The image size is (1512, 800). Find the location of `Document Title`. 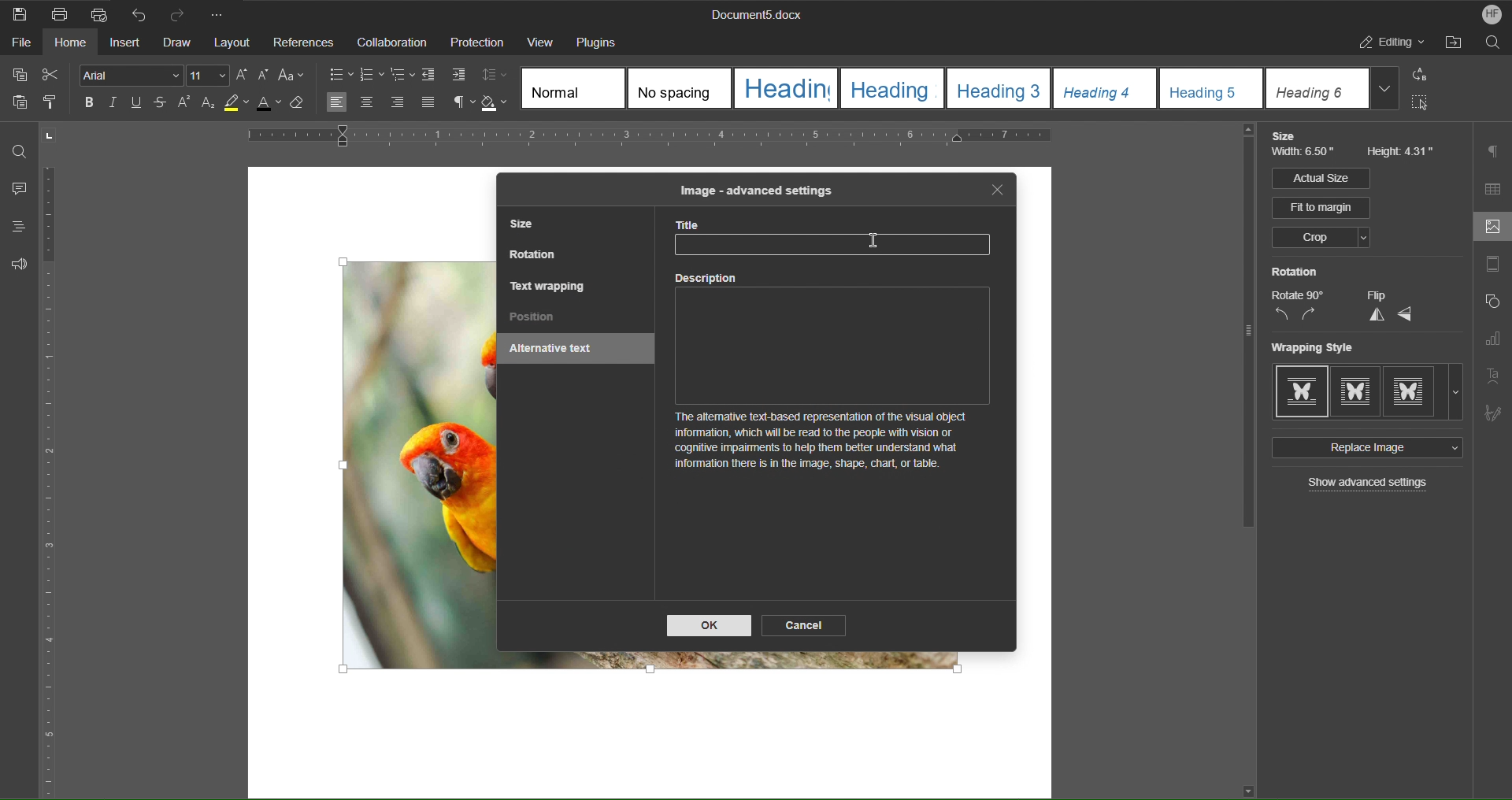

Document Title is located at coordinates (754, 16).